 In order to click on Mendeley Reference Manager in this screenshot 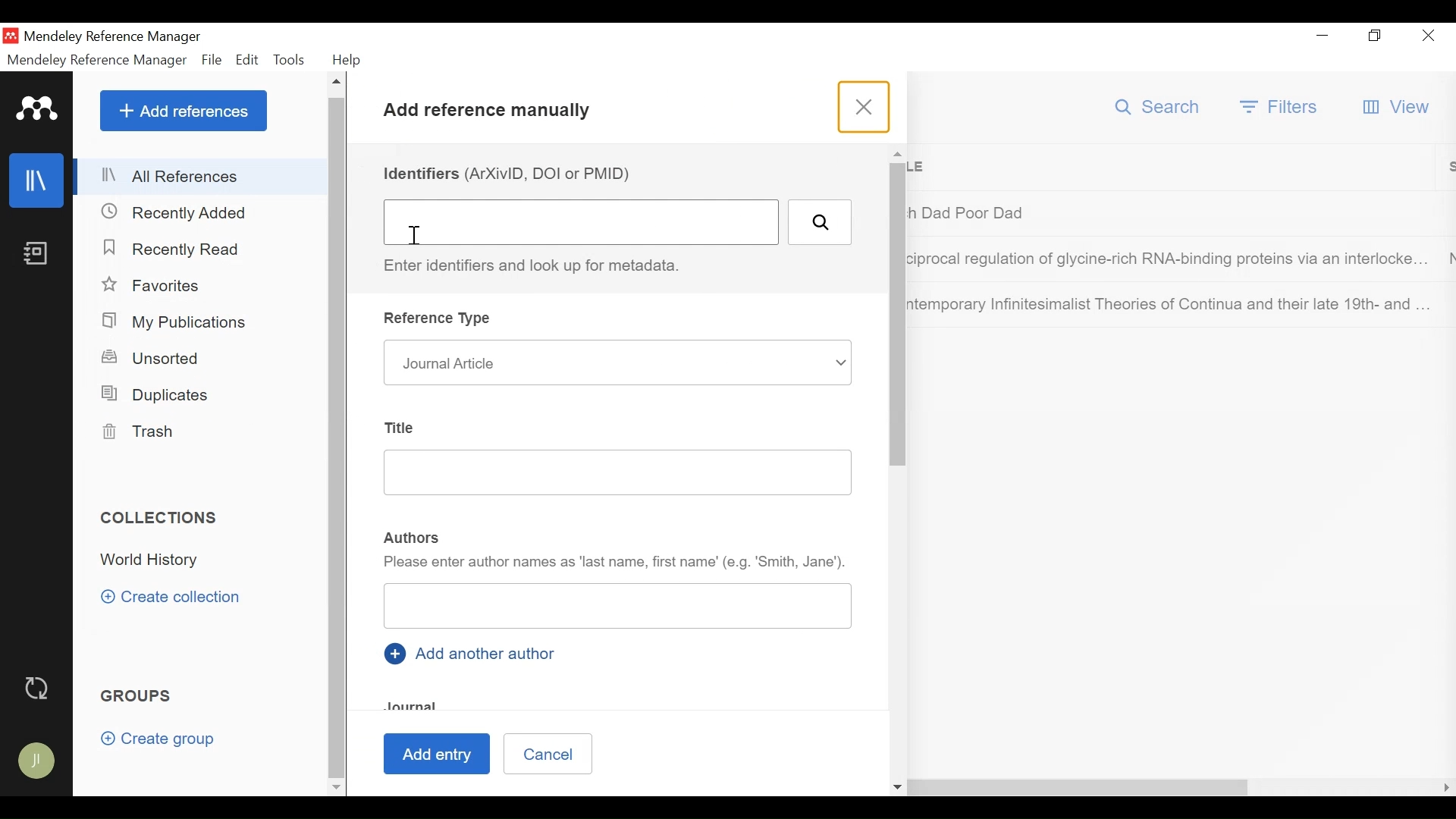, I will do `click(98, 60)`.